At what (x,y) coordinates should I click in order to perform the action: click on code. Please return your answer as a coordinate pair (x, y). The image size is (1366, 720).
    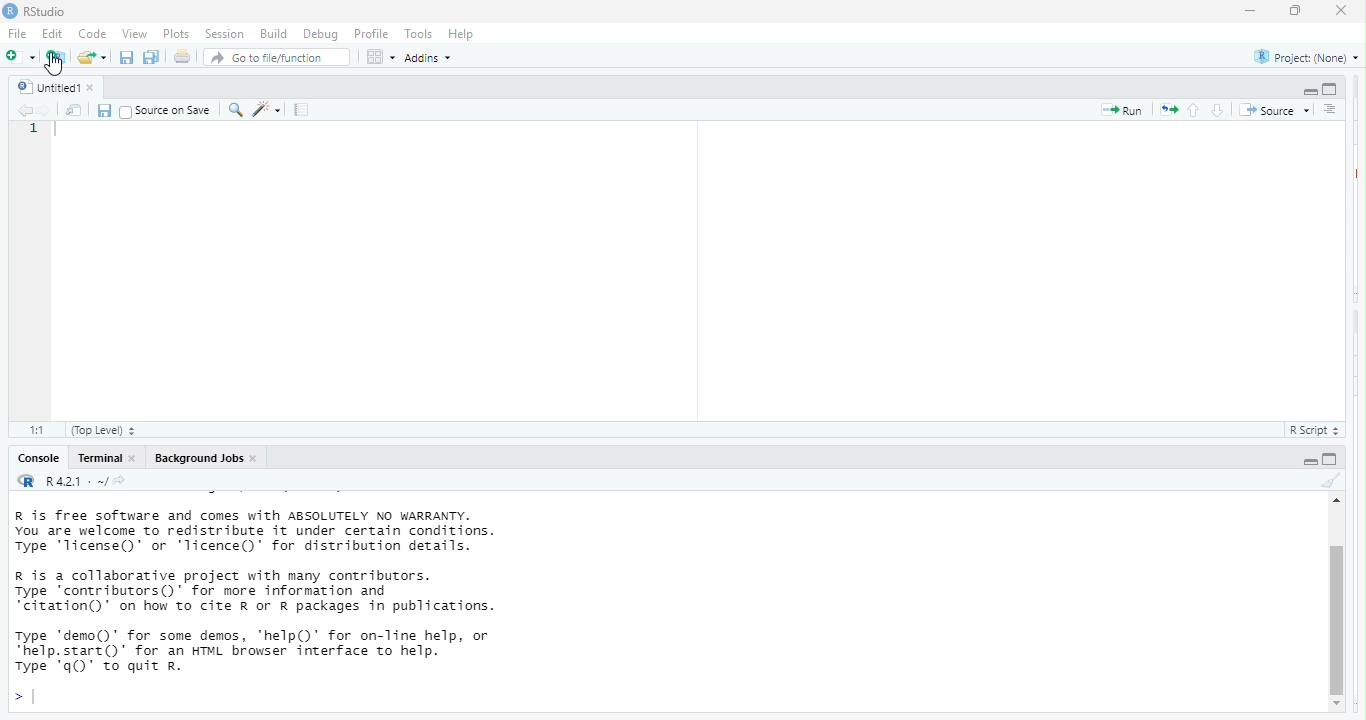
    Looking at the image, I should click on (94, 35).